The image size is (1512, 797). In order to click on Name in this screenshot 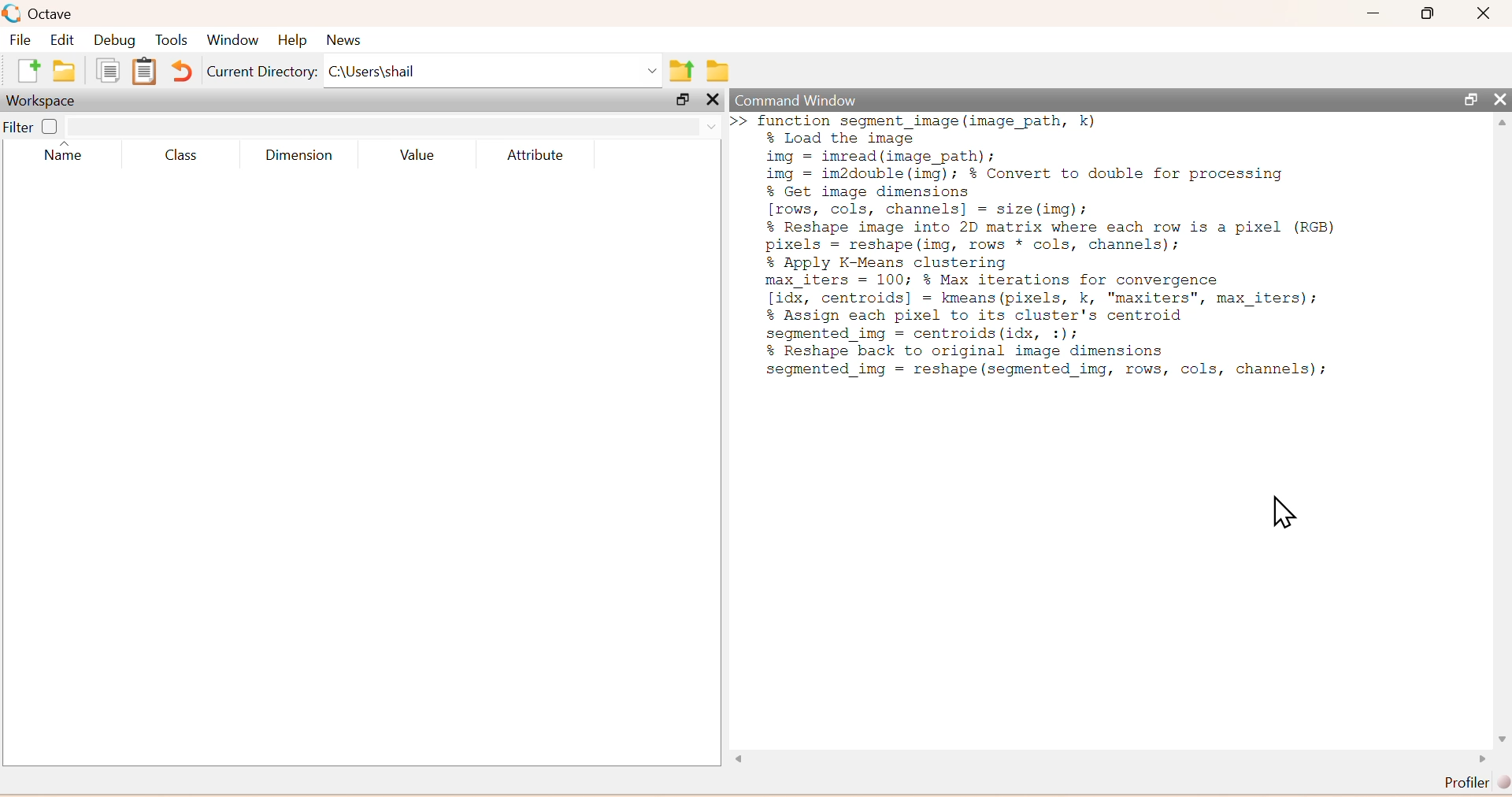, I will do `click(65, 154)`.